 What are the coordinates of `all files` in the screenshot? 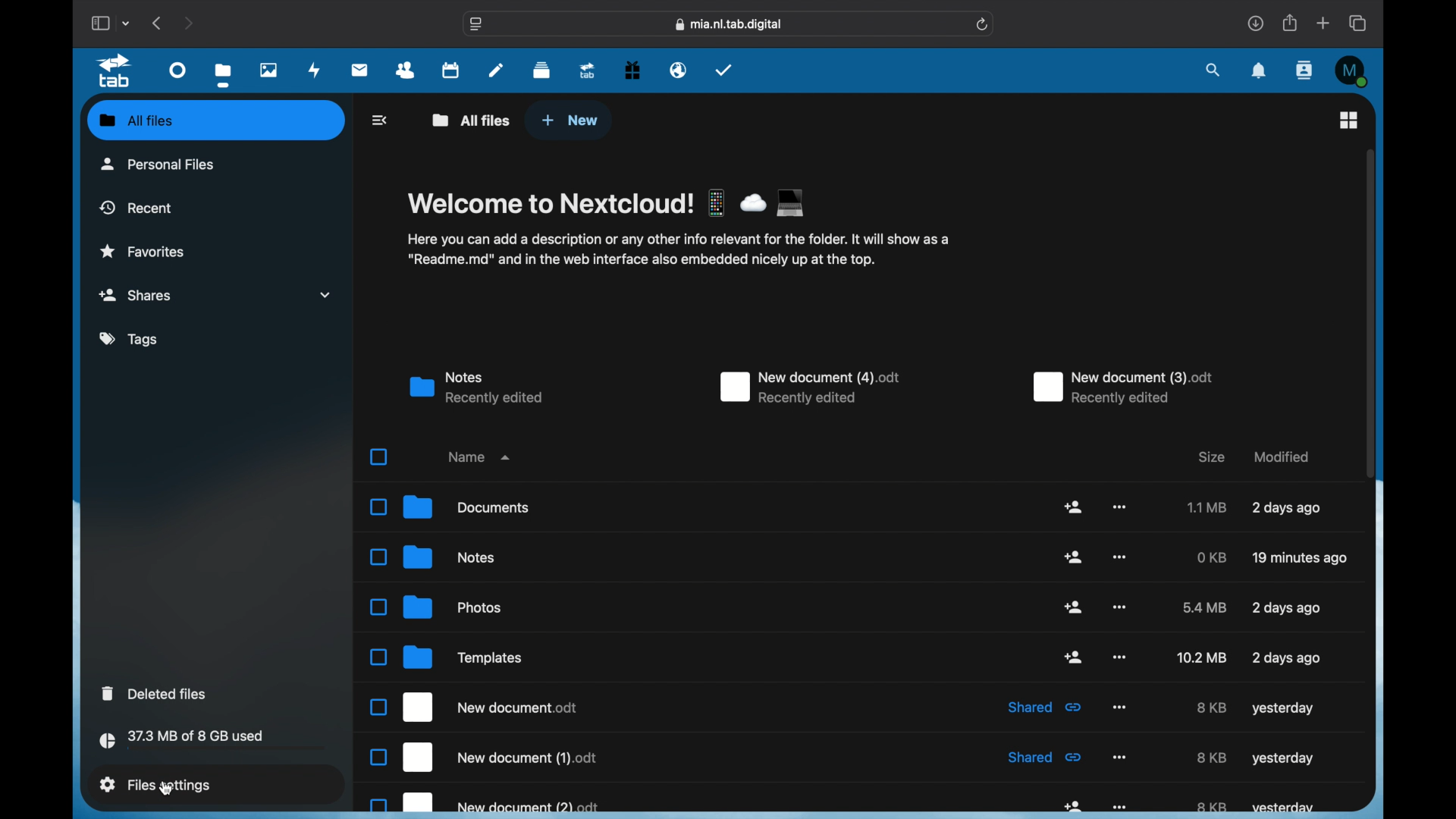 It's located at (472, 121).